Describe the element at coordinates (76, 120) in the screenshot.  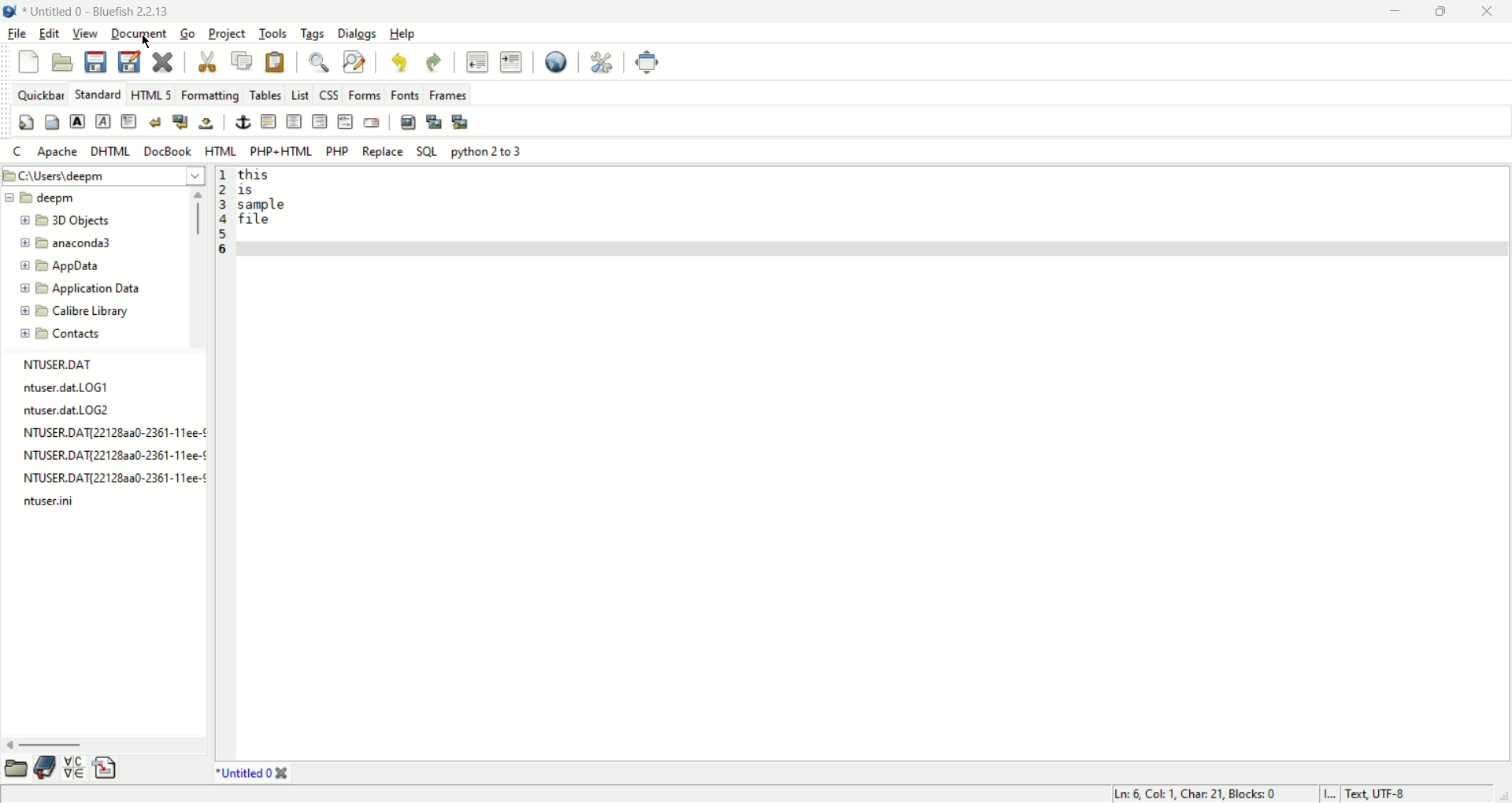
I see `strong` at that location.